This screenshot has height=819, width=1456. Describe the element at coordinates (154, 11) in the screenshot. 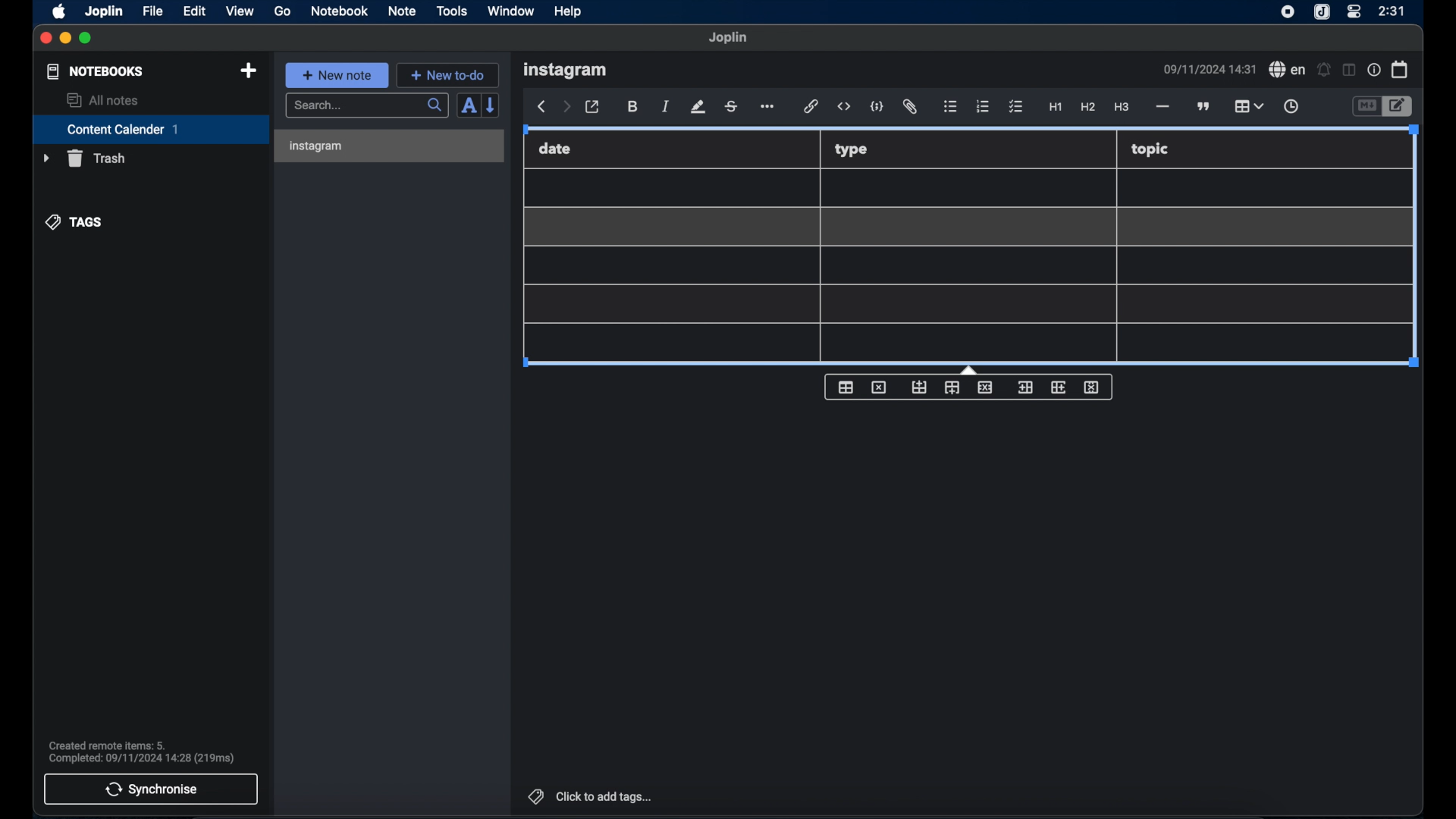

I see `file` at that location.